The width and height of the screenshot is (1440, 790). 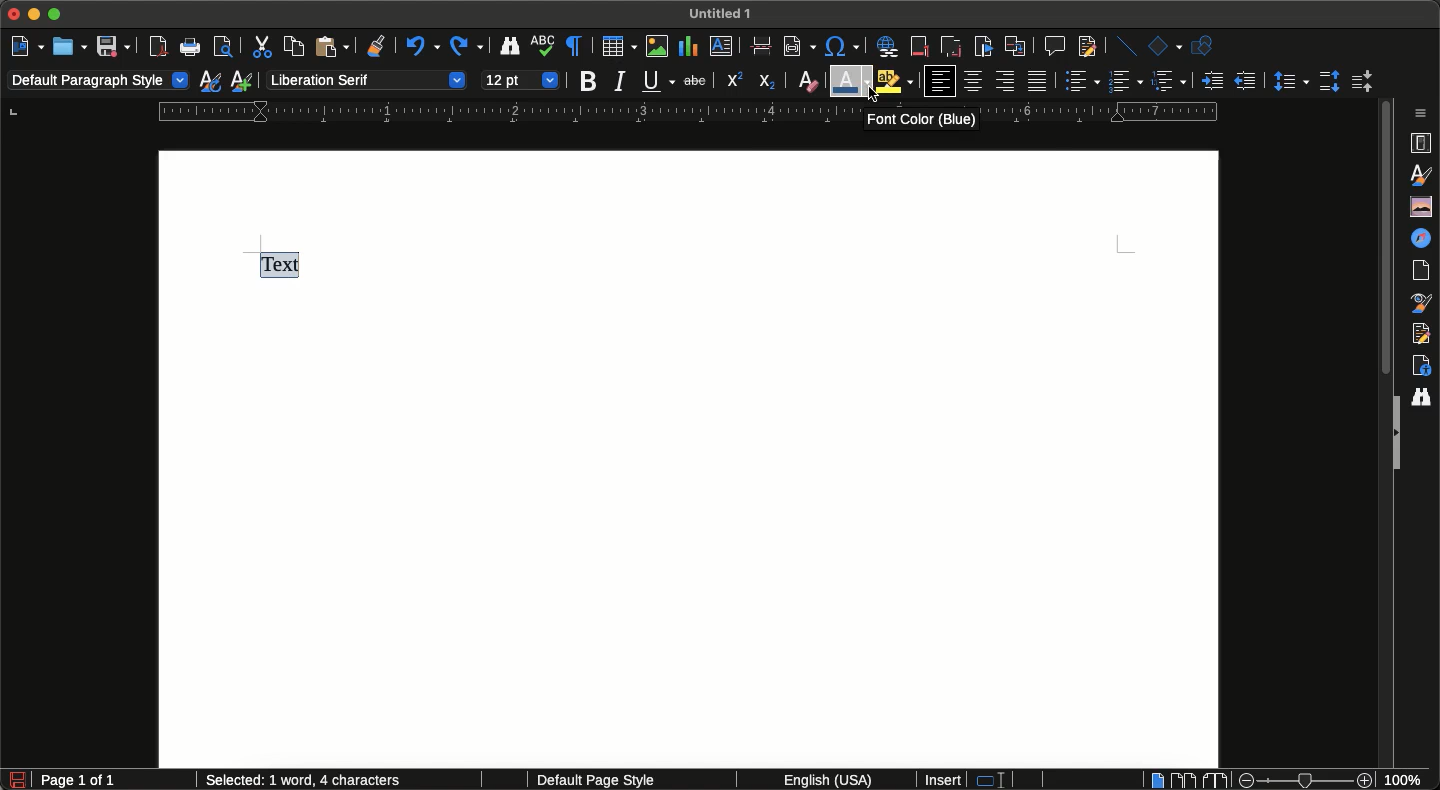 What do you see at coordinates (1005, 82) in the screenshot?
I see `Align right ` at bounding box center [1005, 82].